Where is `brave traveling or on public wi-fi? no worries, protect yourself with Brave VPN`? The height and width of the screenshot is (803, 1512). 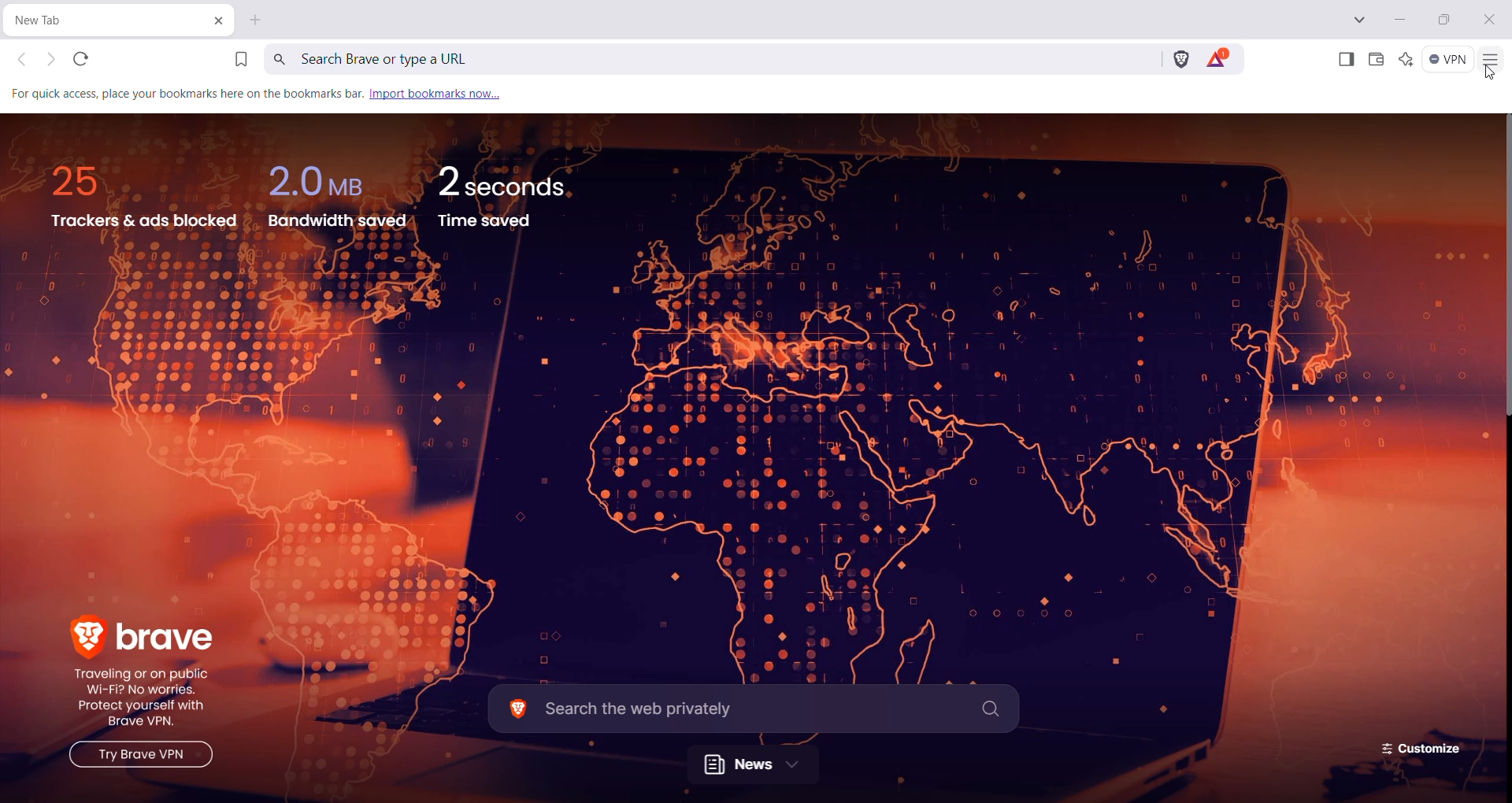 brave traveling or on public wi-fi? no worries, protect yourself with Brave VPN is located at coordinates (137, 690).